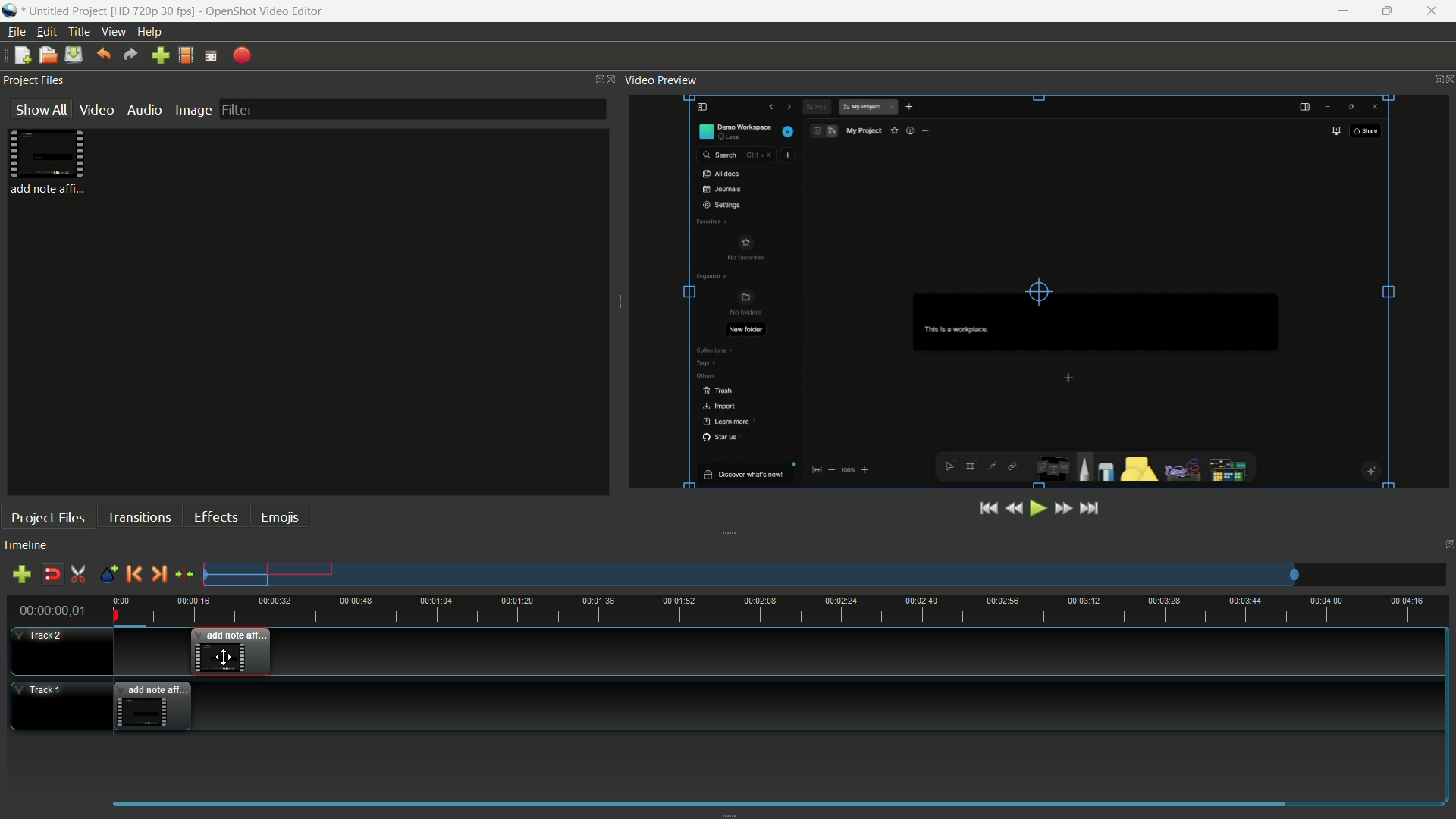 This screenshot has height=819, width=1456. I want to click on next marker, so click(157, 573).